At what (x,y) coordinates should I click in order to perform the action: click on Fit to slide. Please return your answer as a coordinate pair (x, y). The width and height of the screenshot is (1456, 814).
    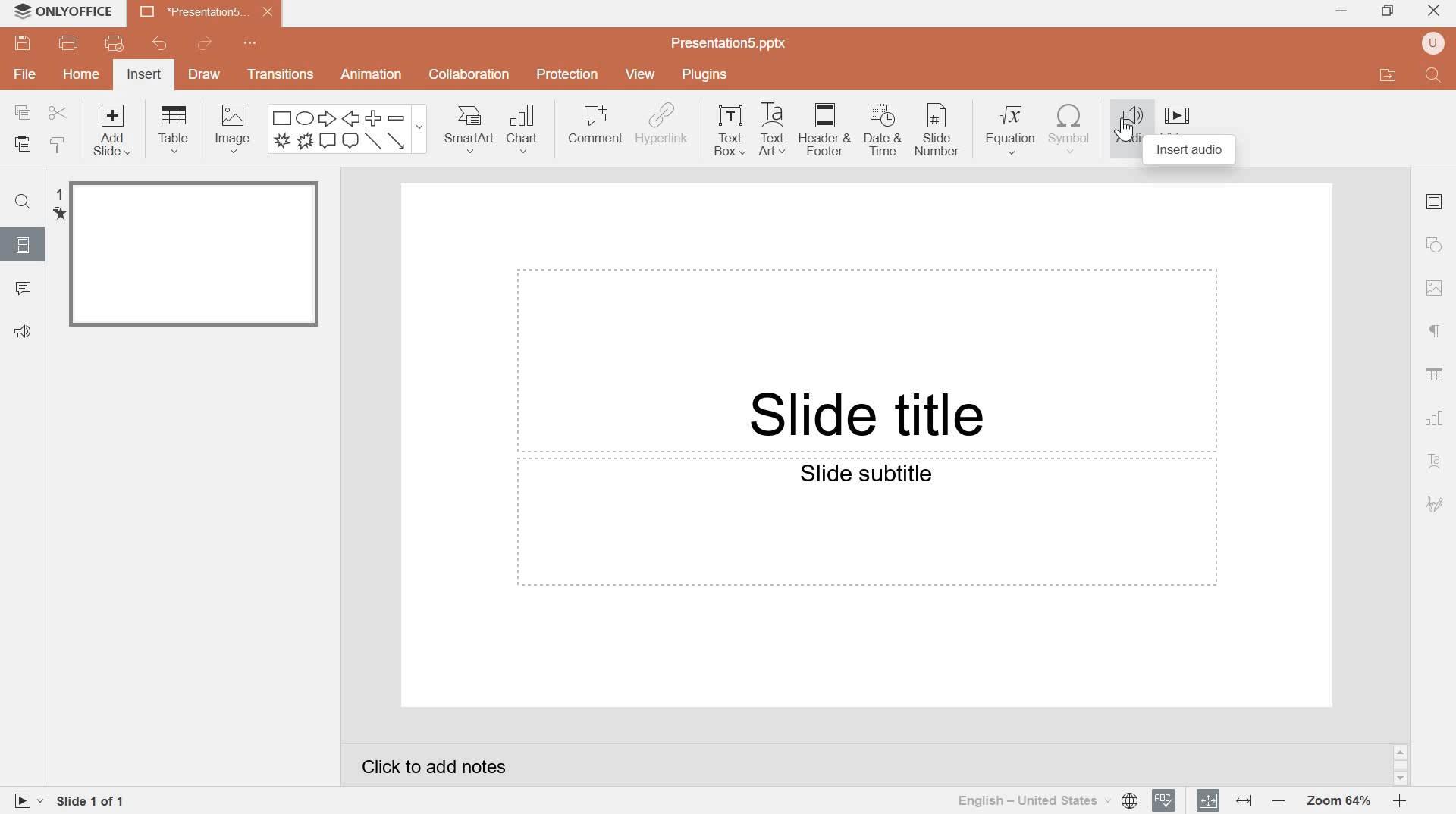
    Looking at the image, I should click on (1209, 799).